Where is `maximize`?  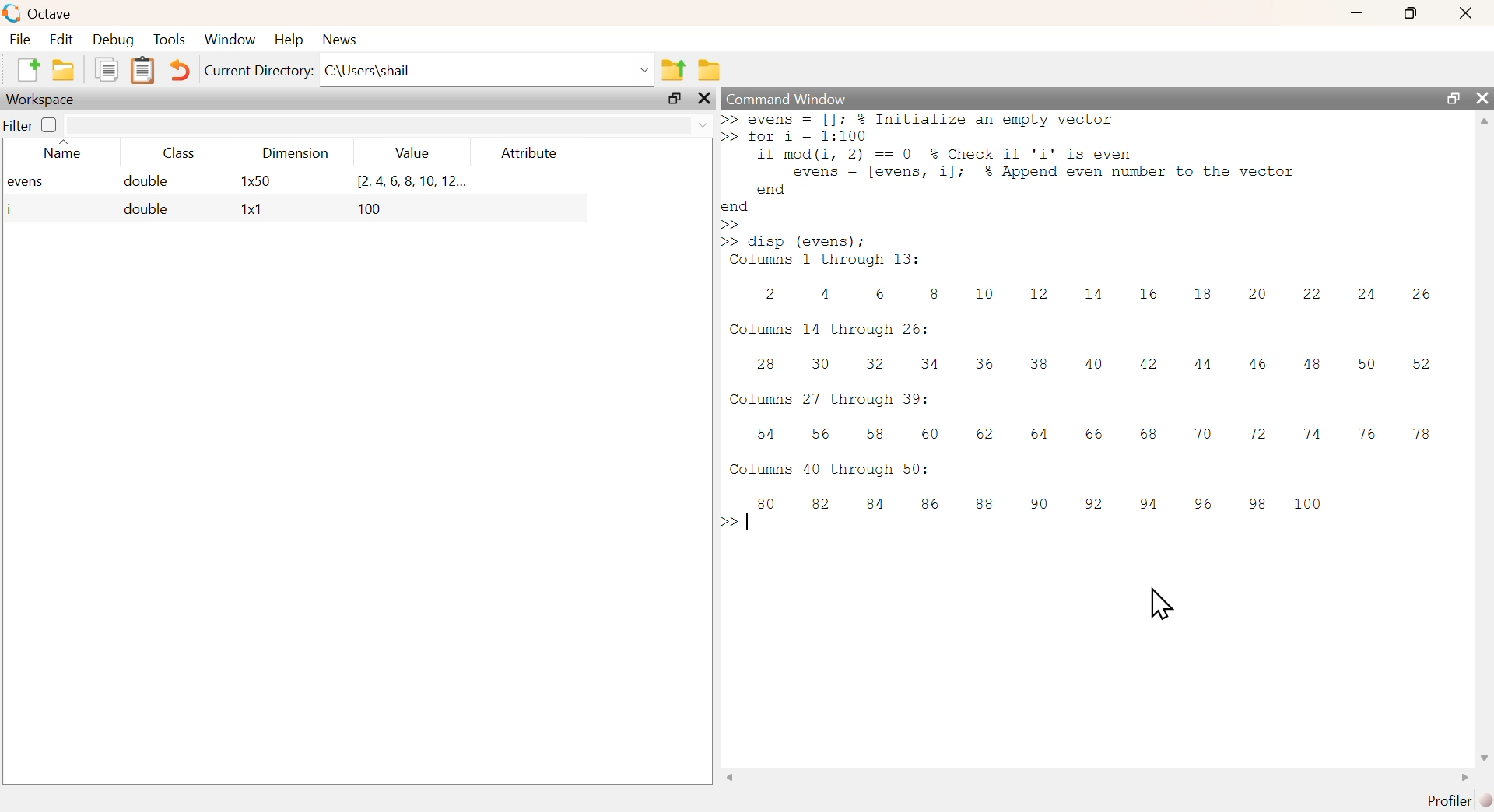 maximize is located at coordinates (1453, 100).